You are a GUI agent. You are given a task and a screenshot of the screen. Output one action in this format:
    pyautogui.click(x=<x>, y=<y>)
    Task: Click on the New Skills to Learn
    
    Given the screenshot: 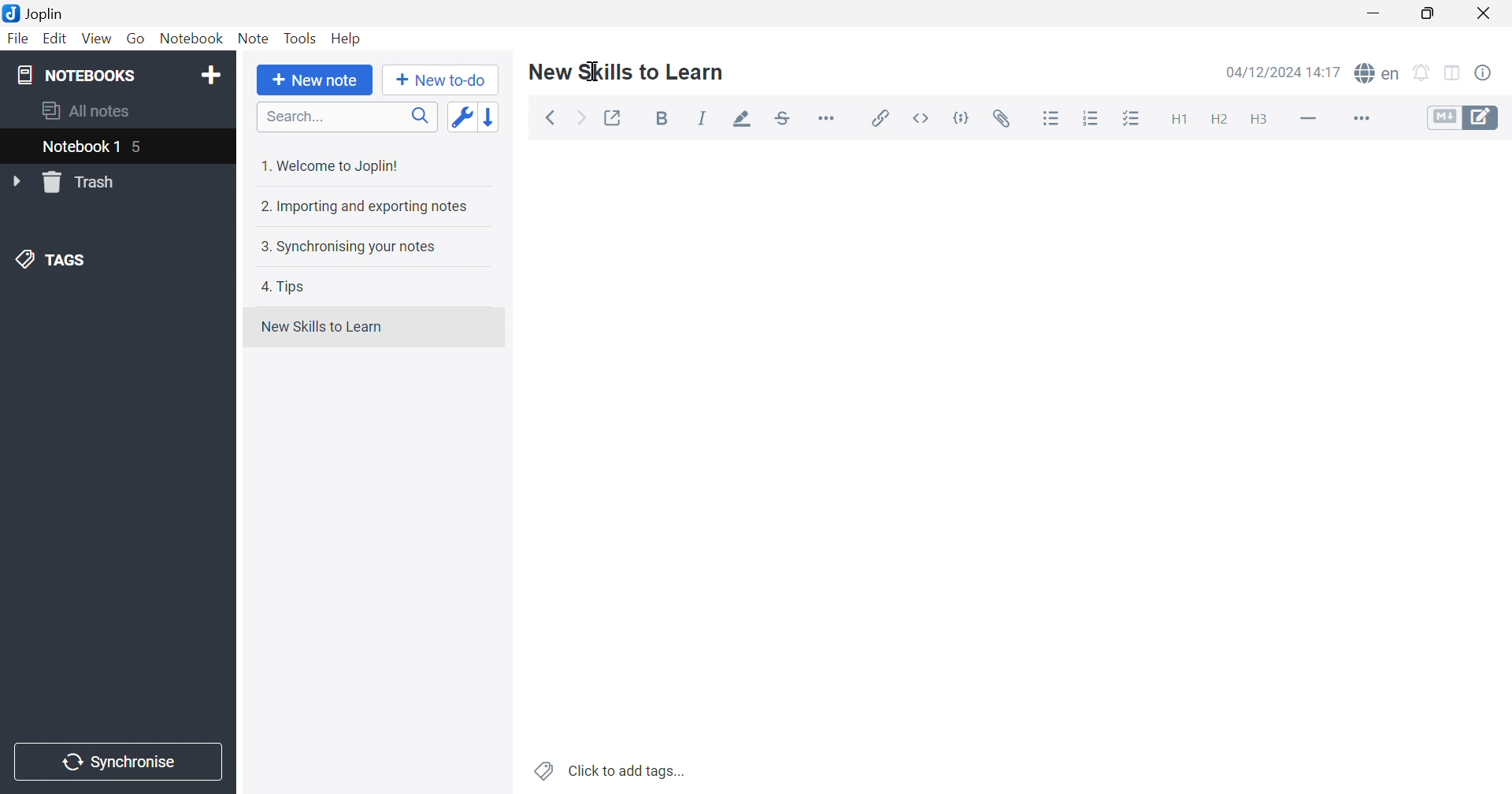 What is the action you would take?
    pyautogui.click(x=627, y=71)
    